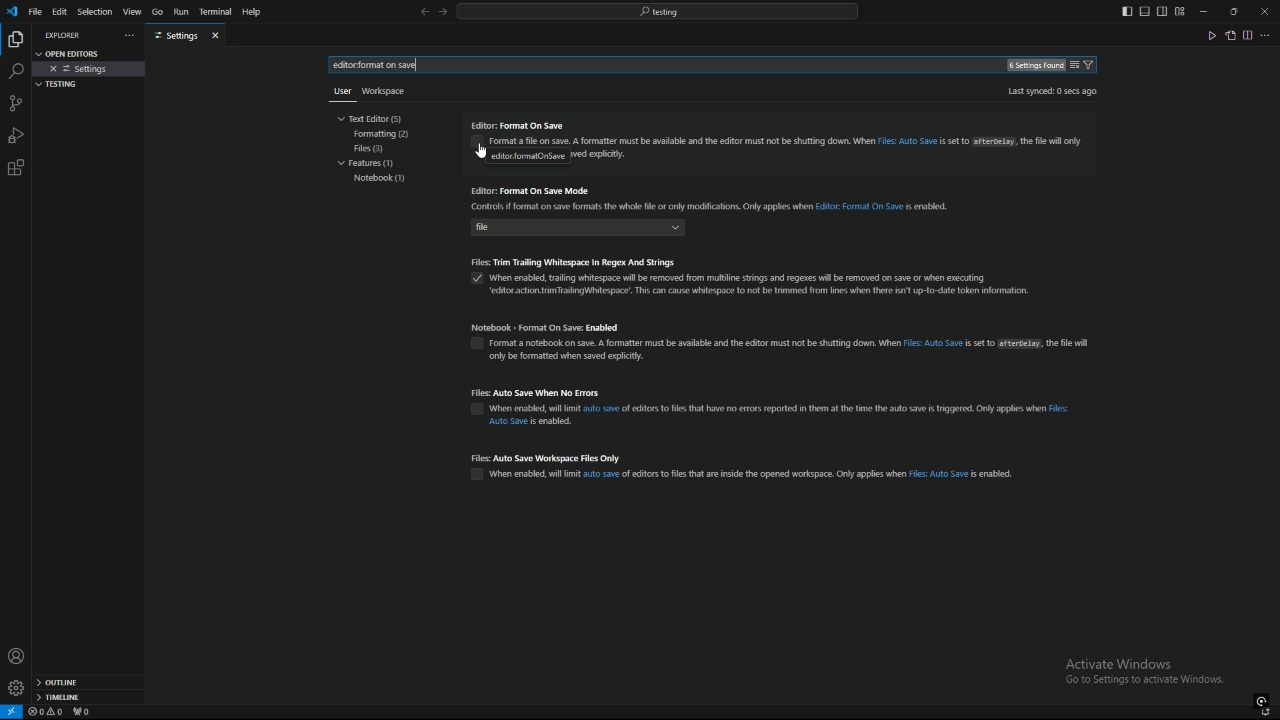 The image size is (1280, 720). What do you see at coordinates (384, 134) in the screenshot?
I see `formatting` at bounding box center [384, 134].